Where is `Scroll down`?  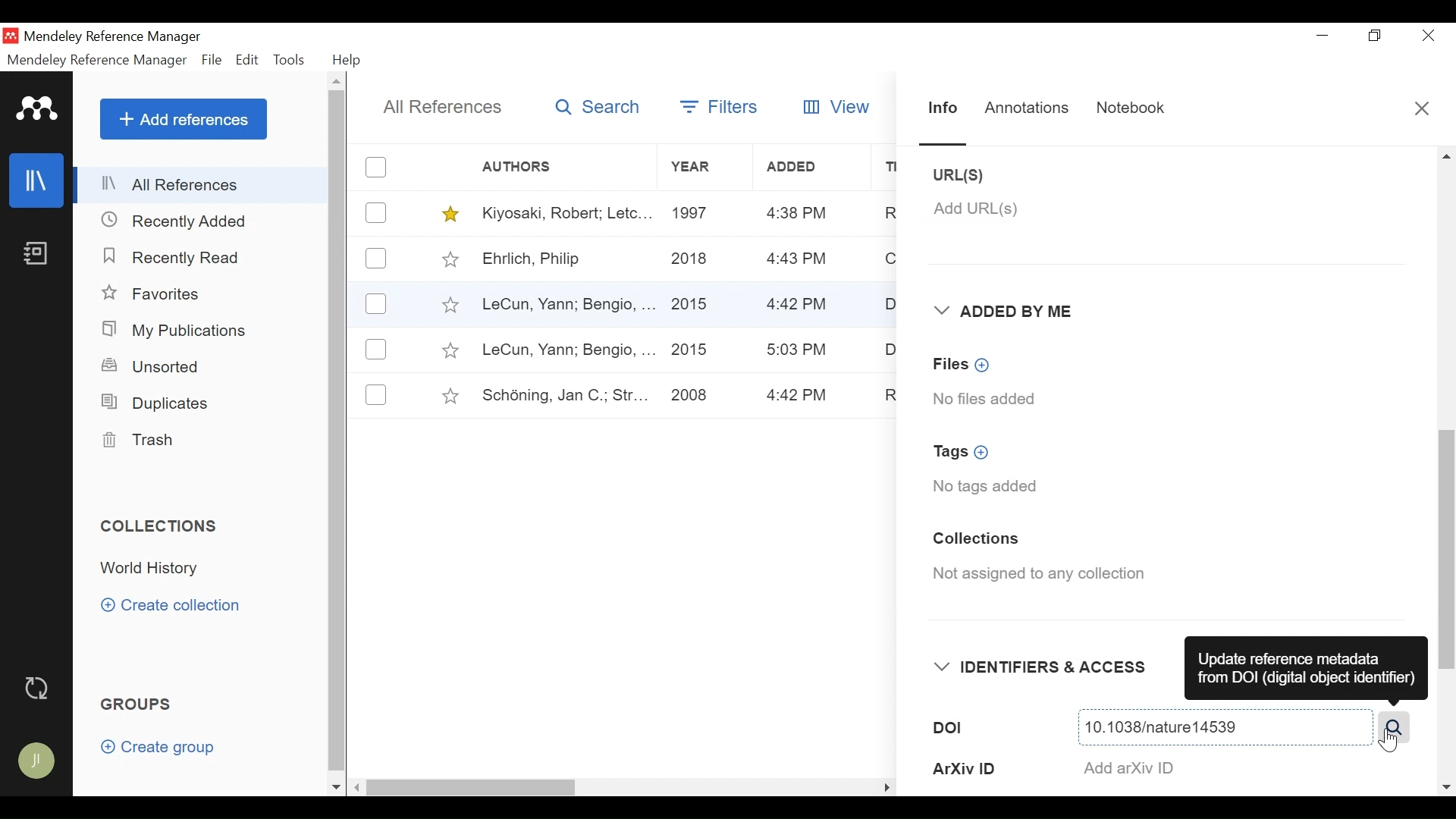 Scroll down is located at coordinates (336, 787).